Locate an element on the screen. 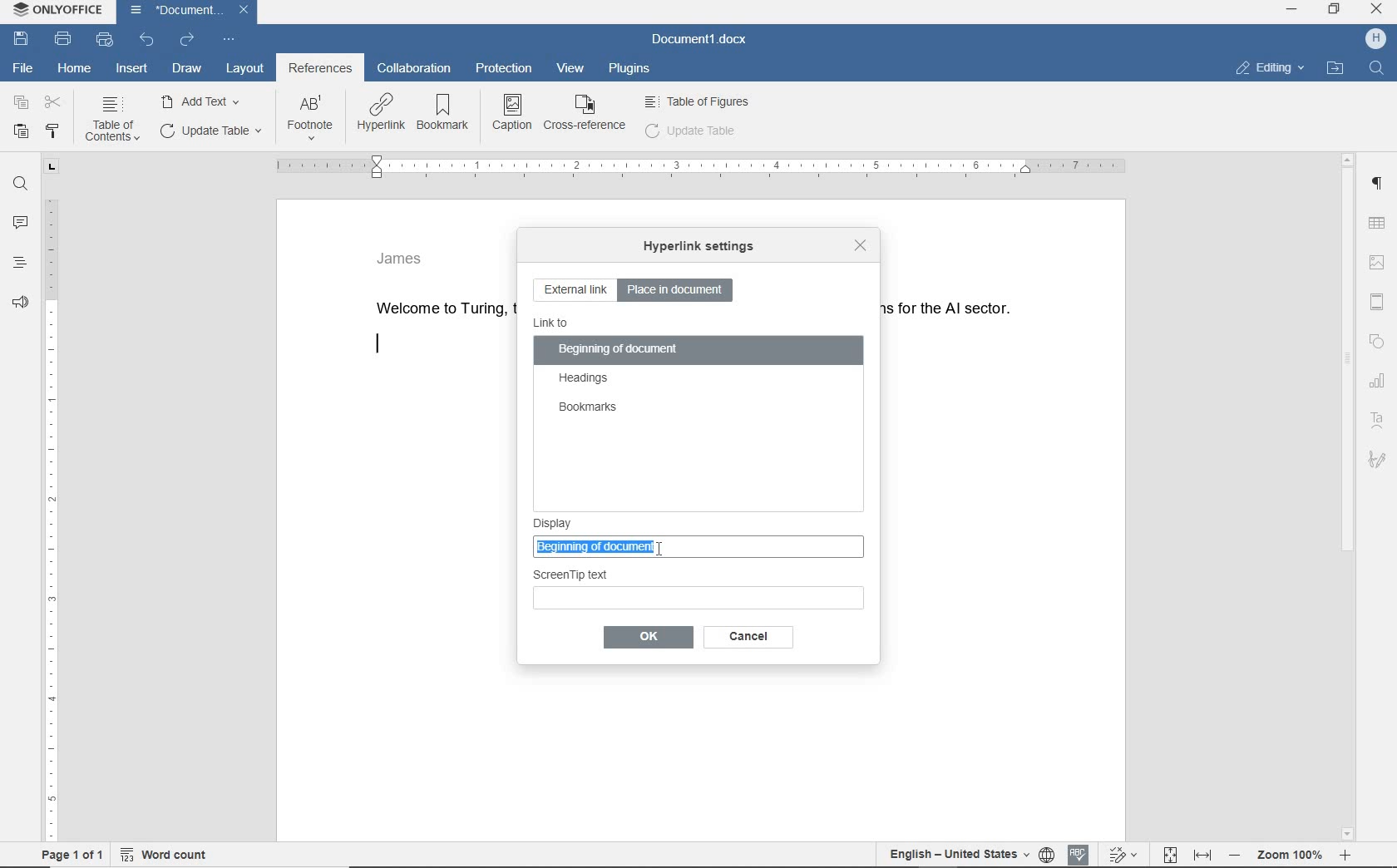 The image size is (1397, 868). Close is located at coordinates (244, 12).